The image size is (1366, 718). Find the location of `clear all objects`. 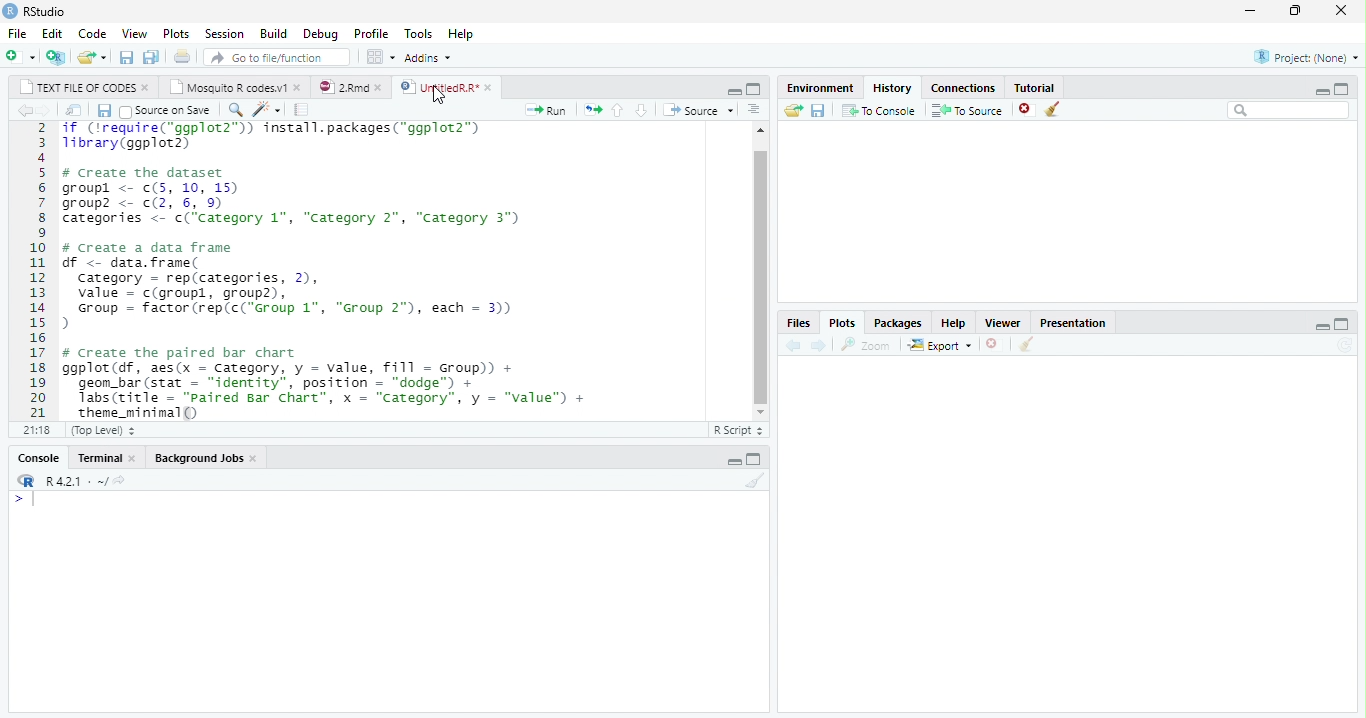

clear all objects is located at coordinates (1053, 110).